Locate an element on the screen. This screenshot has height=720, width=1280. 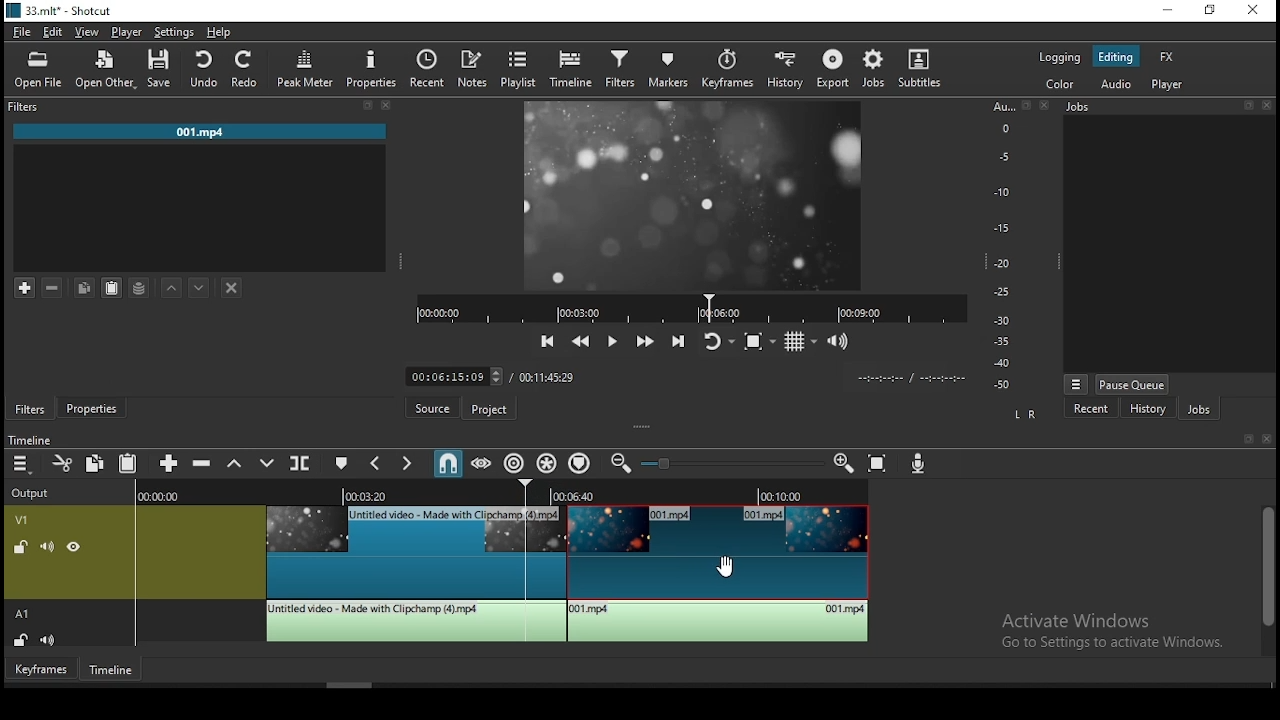
playlist is located at coordinates (517, 67).